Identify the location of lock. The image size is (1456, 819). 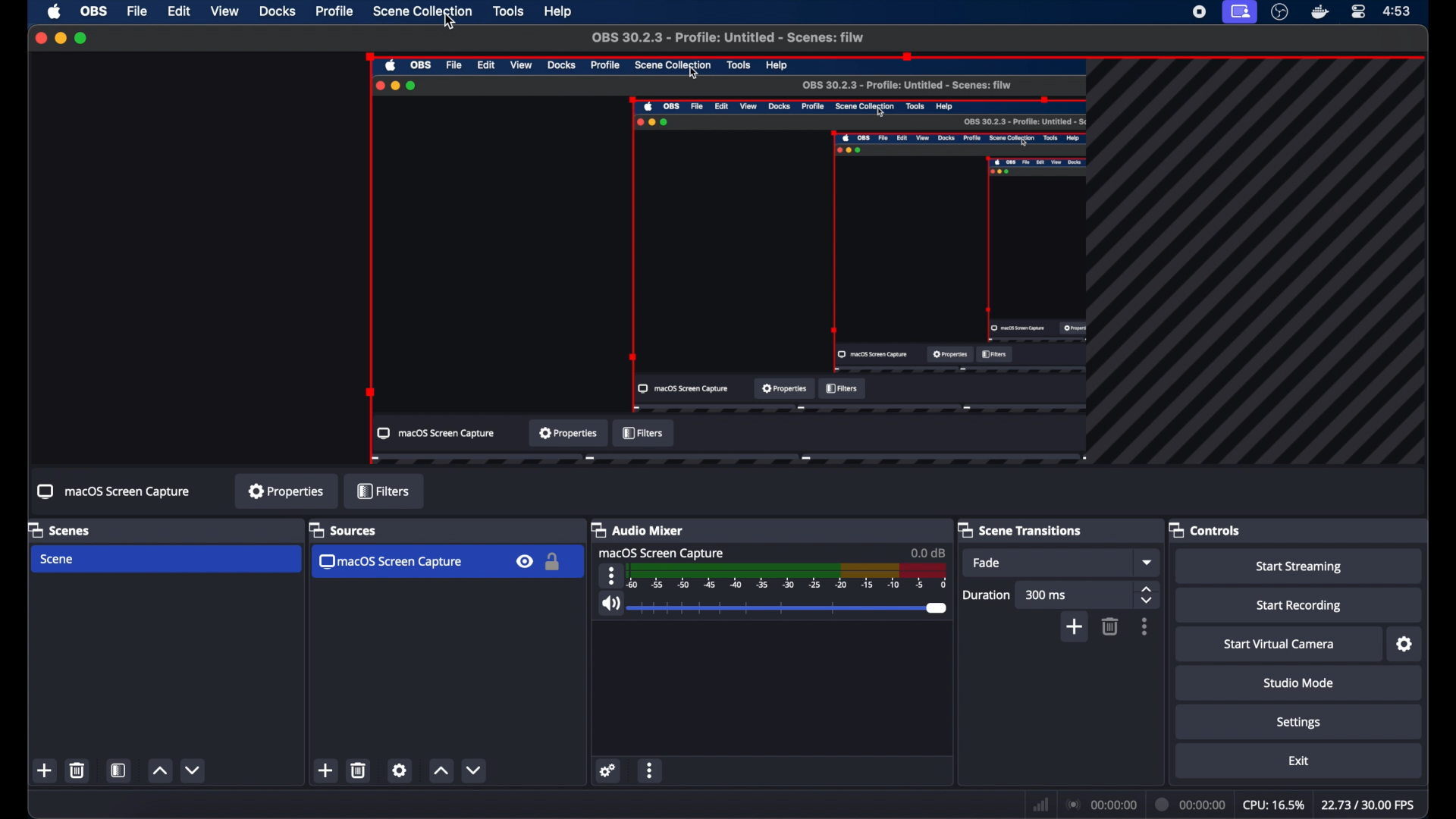
(554, 563).